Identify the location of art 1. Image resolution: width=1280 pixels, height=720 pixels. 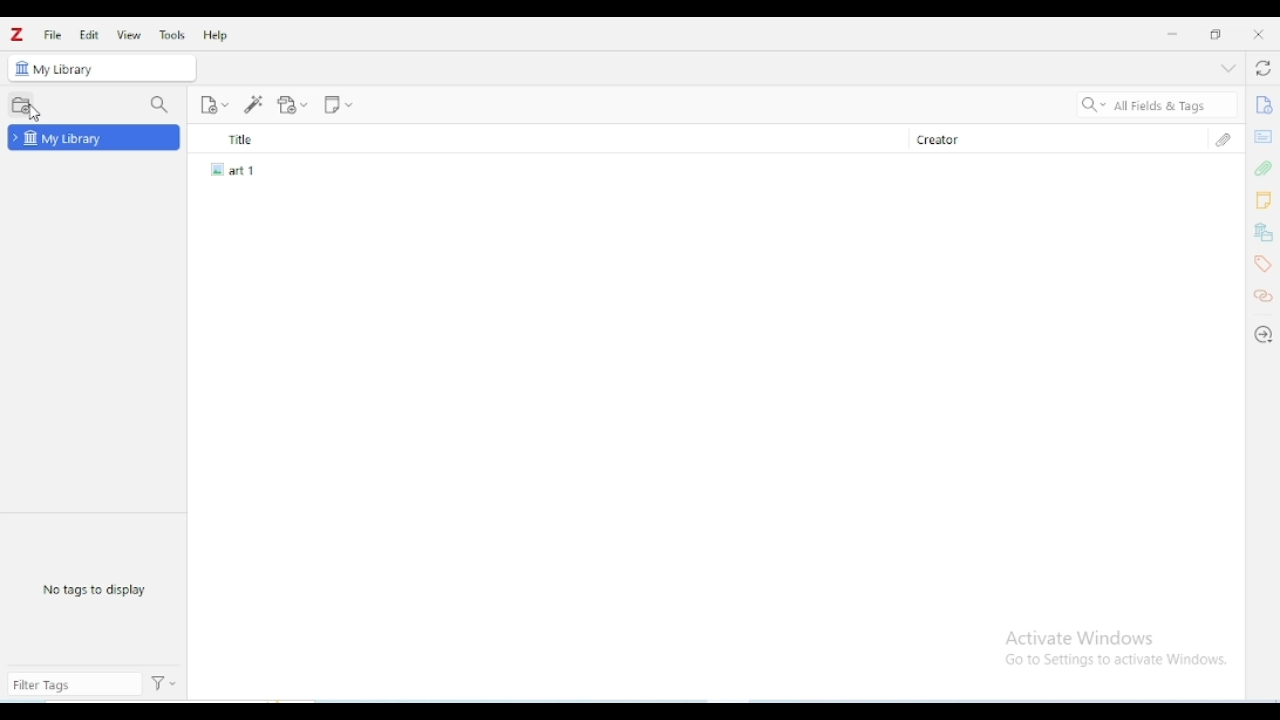
(238, 169).